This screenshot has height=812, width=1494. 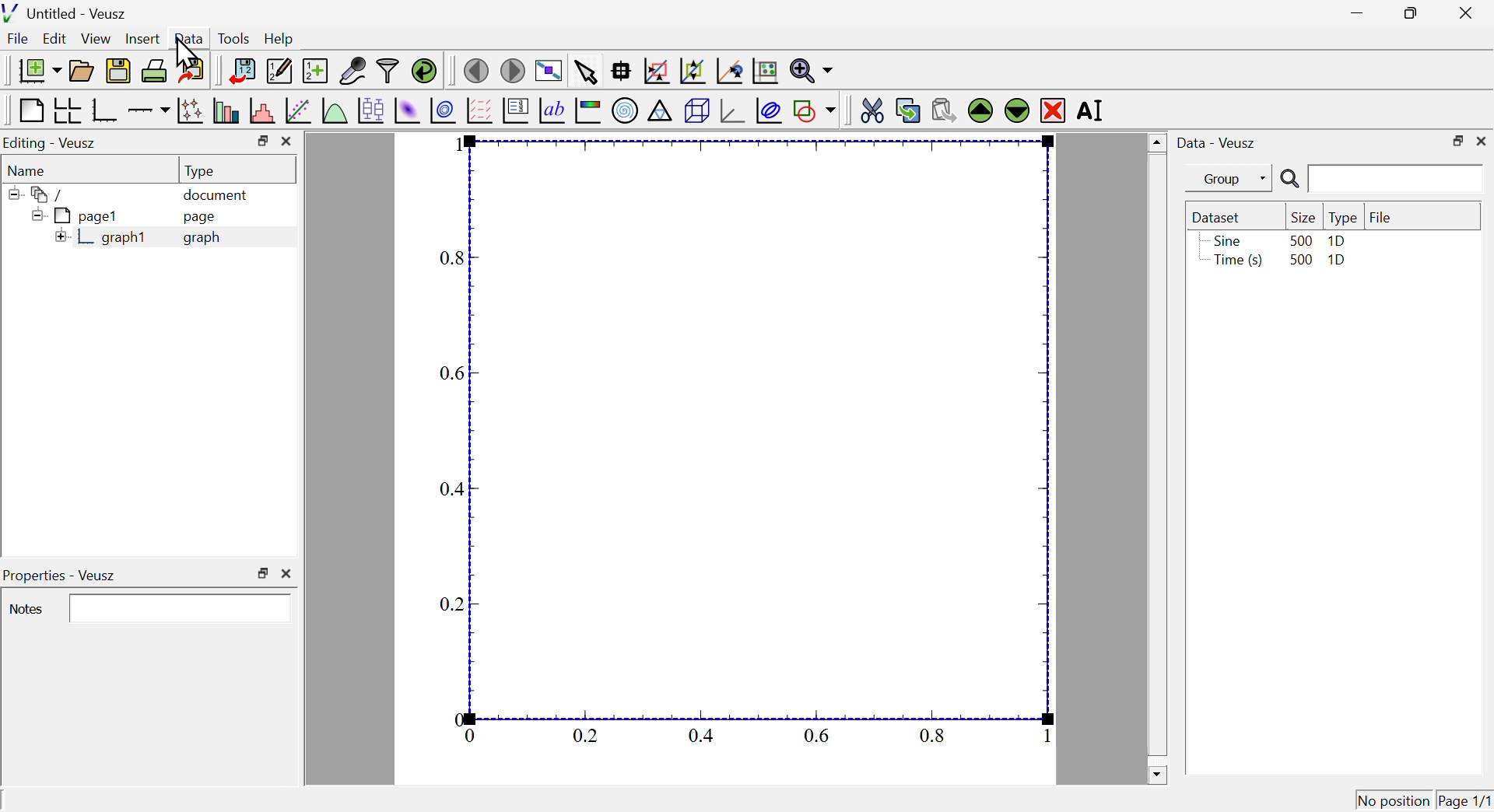 I want to click on save the document, so click(x=118, y=72).